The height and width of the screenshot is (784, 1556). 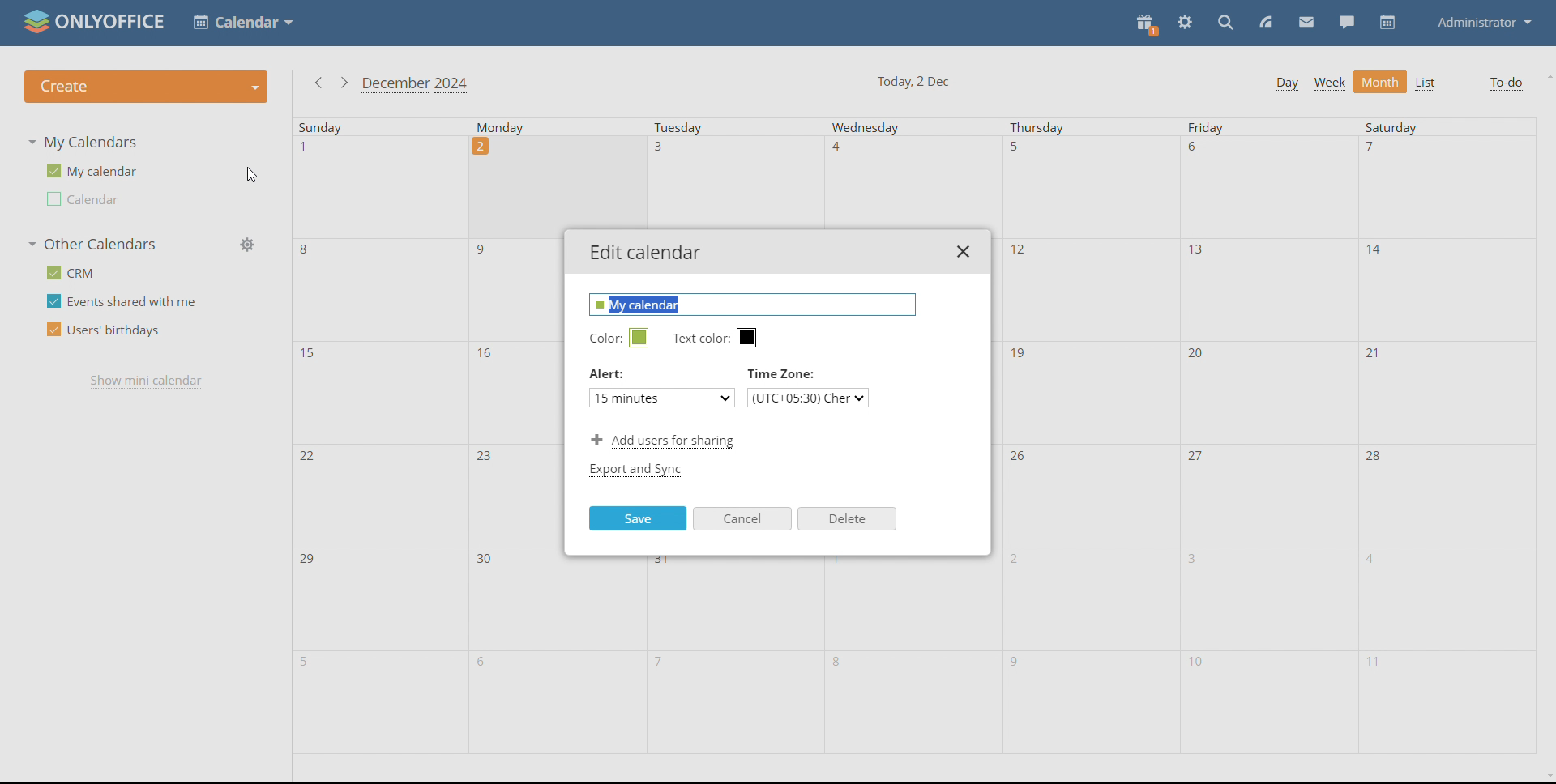 I want to click on create, so click(x=146, y=87).